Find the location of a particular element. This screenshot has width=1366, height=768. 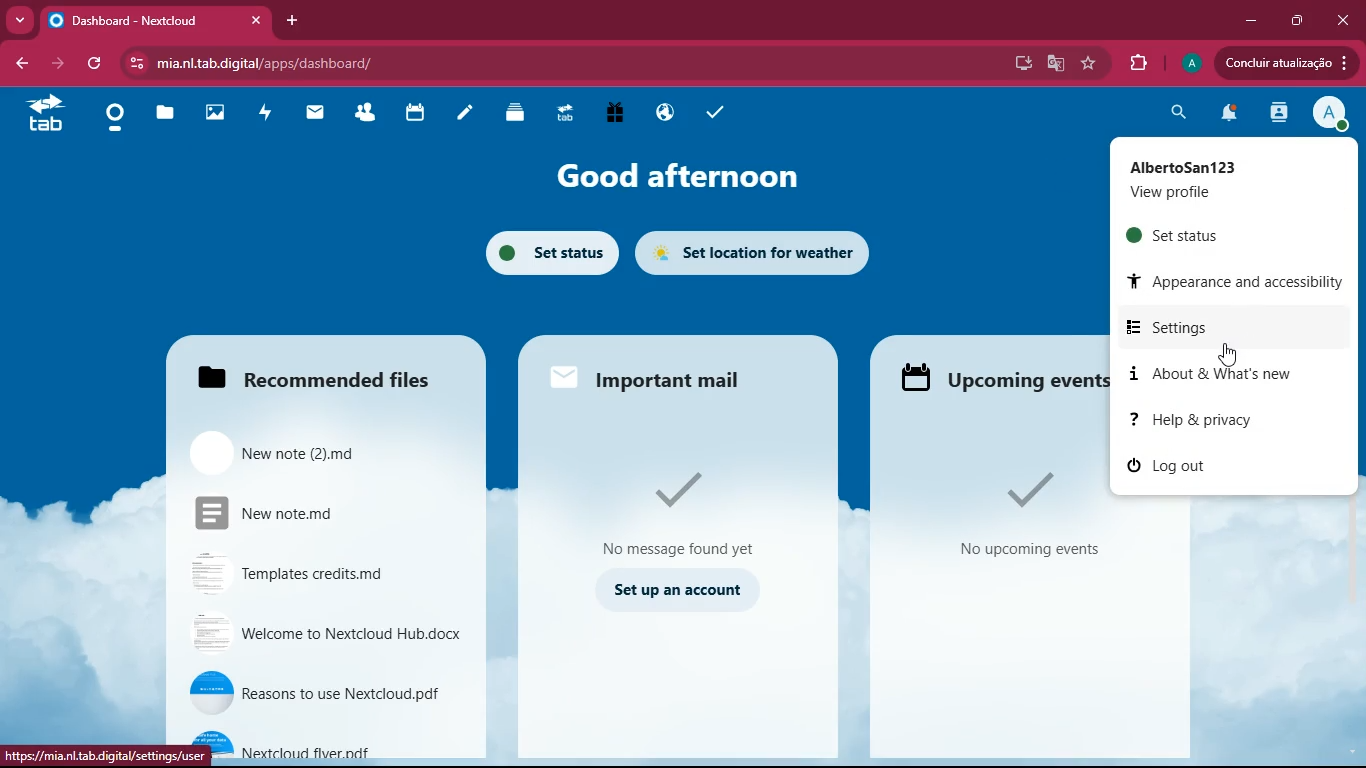

Welcome to Nextcloud Hub.docx is located at coordinates (312, 635).